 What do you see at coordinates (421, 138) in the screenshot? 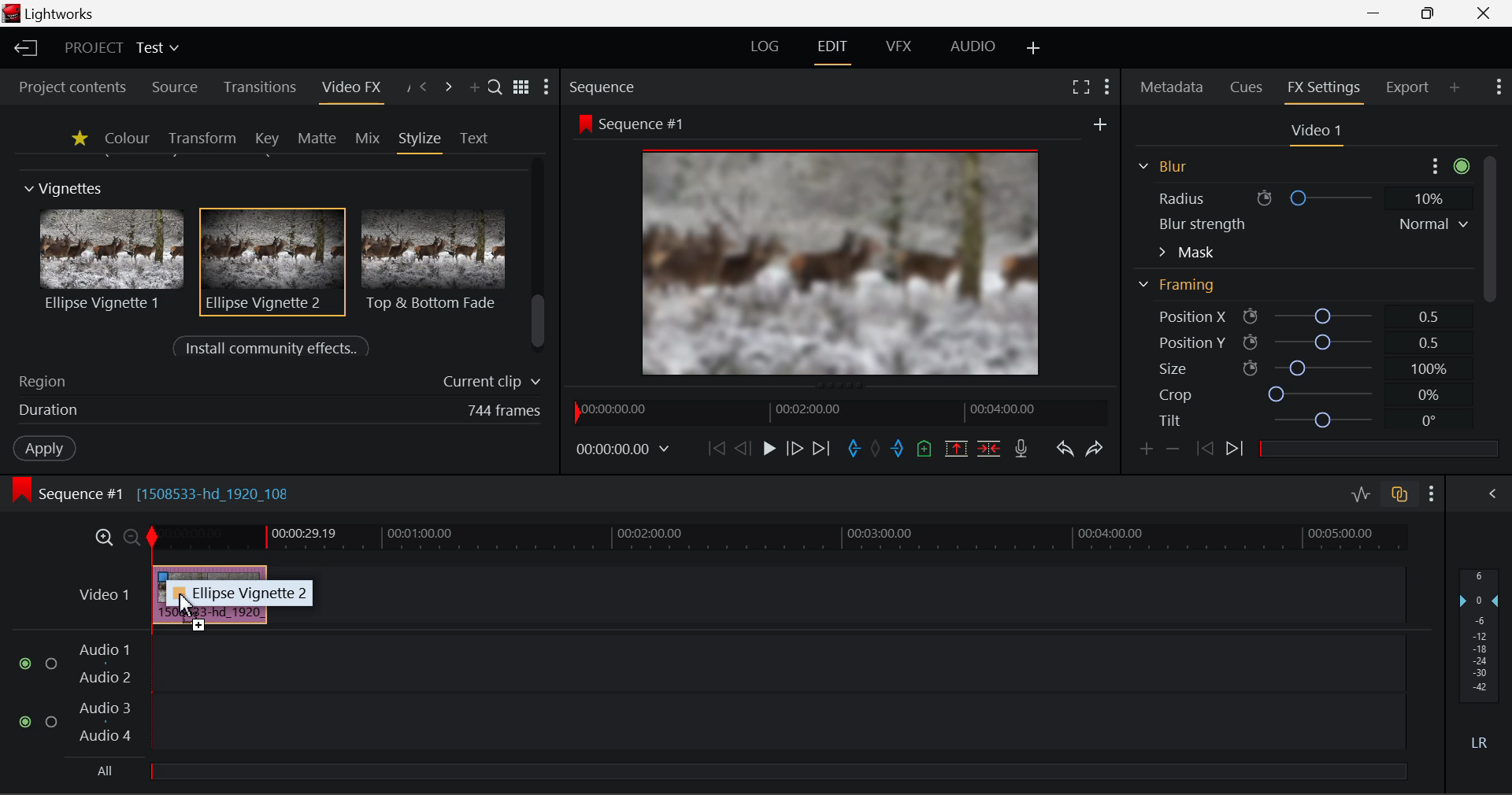
I see `Stylize Panel Open` at bounding box center [421, 138].